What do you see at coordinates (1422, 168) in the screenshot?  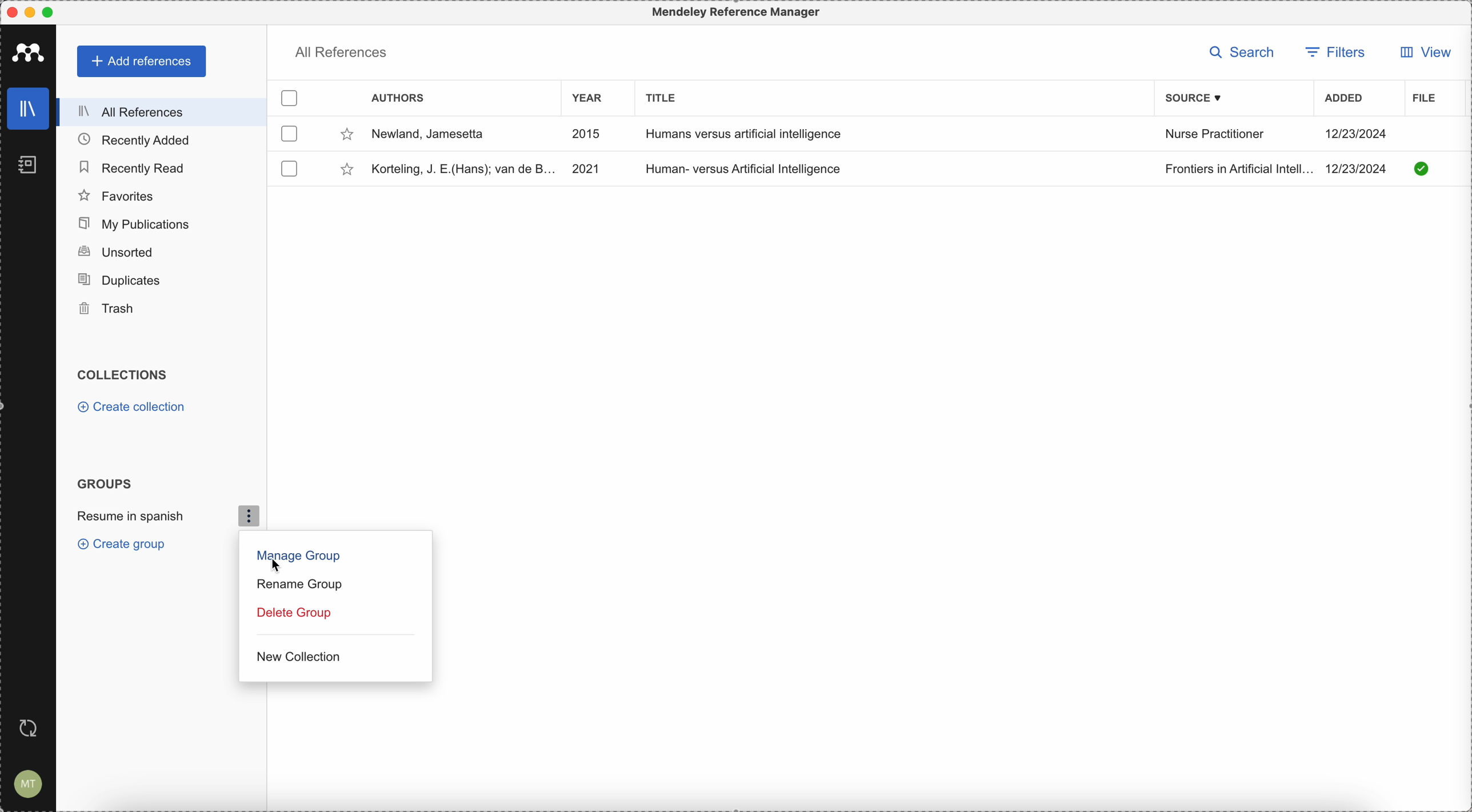 I see `Checkmark` at bounding box center [1422, 168].